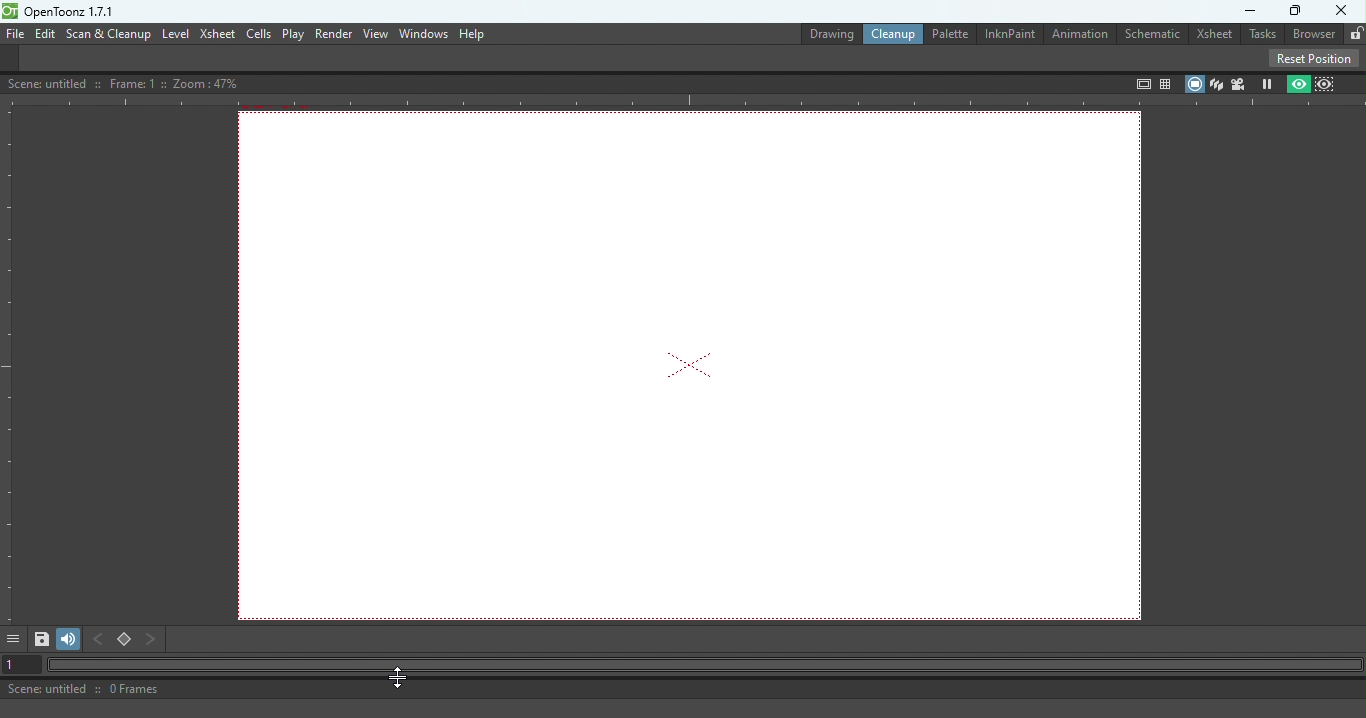 The image size is (1366, 718). Describe the element at coordinates (1328, 82) in the screenshot. I see `Sub-camera view` at that location.